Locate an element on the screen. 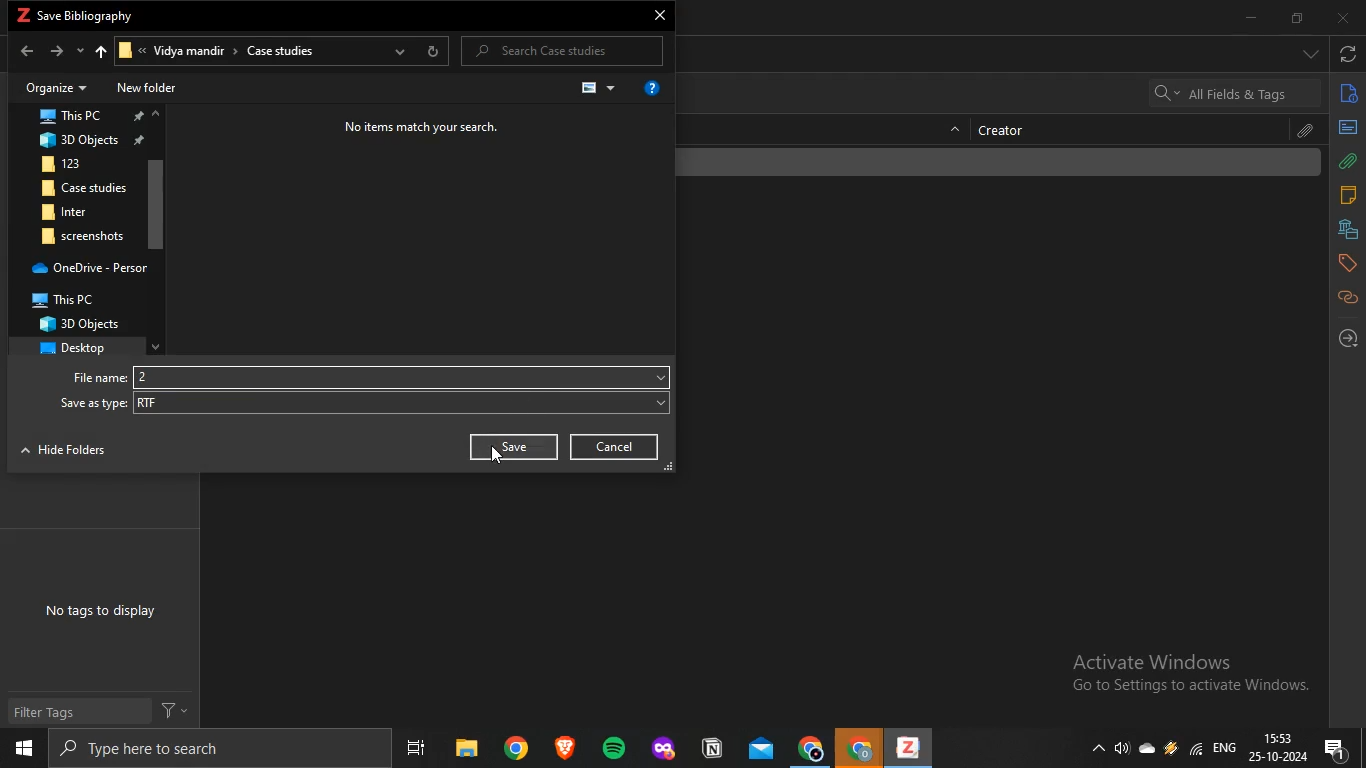 This screenshot has height=768, width=1366. info is located at coordinates (1349, 97).